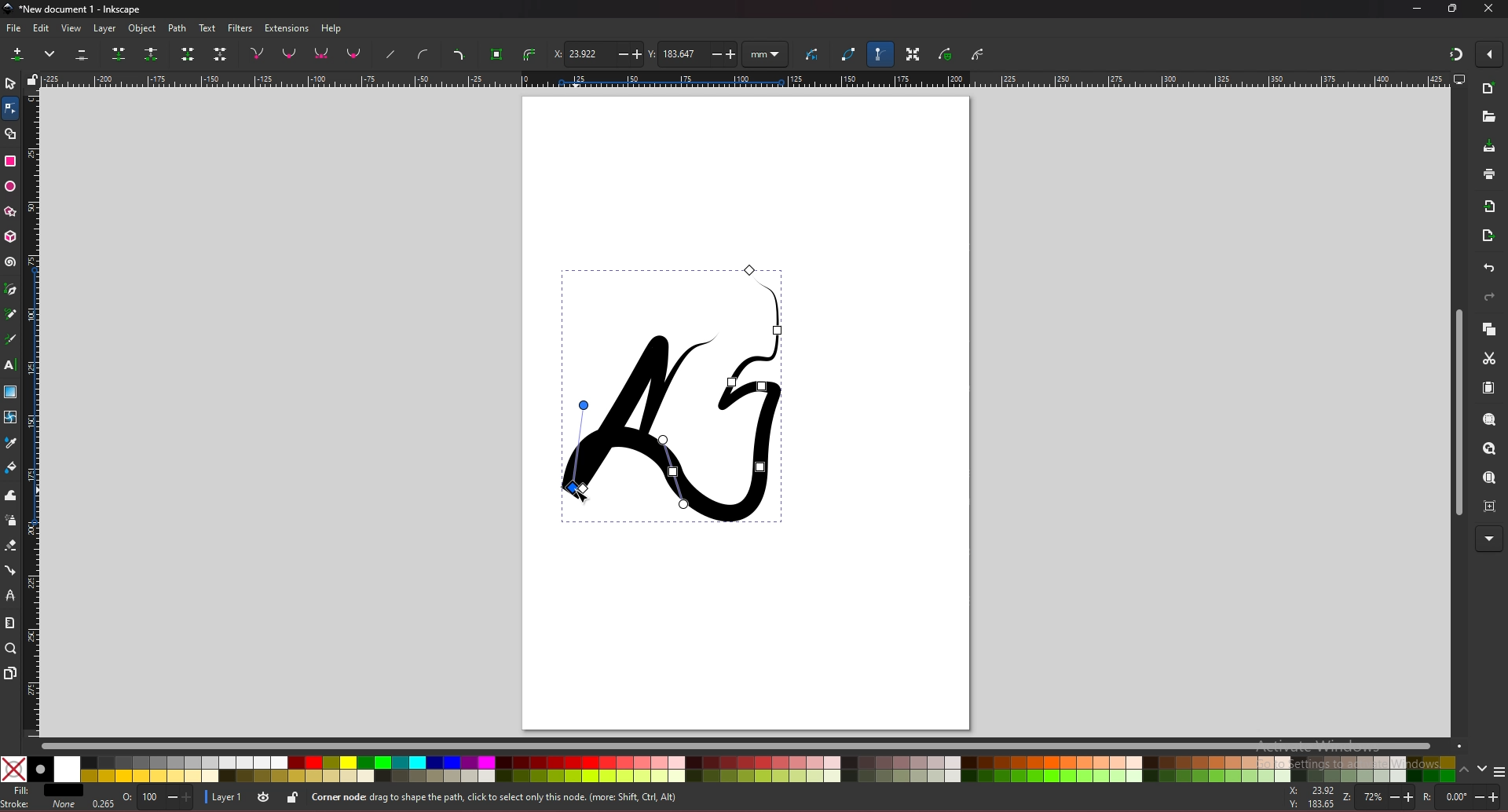  Describe the element at coordinates (1488, 329) in the screenshot. I see `copy` at that location.